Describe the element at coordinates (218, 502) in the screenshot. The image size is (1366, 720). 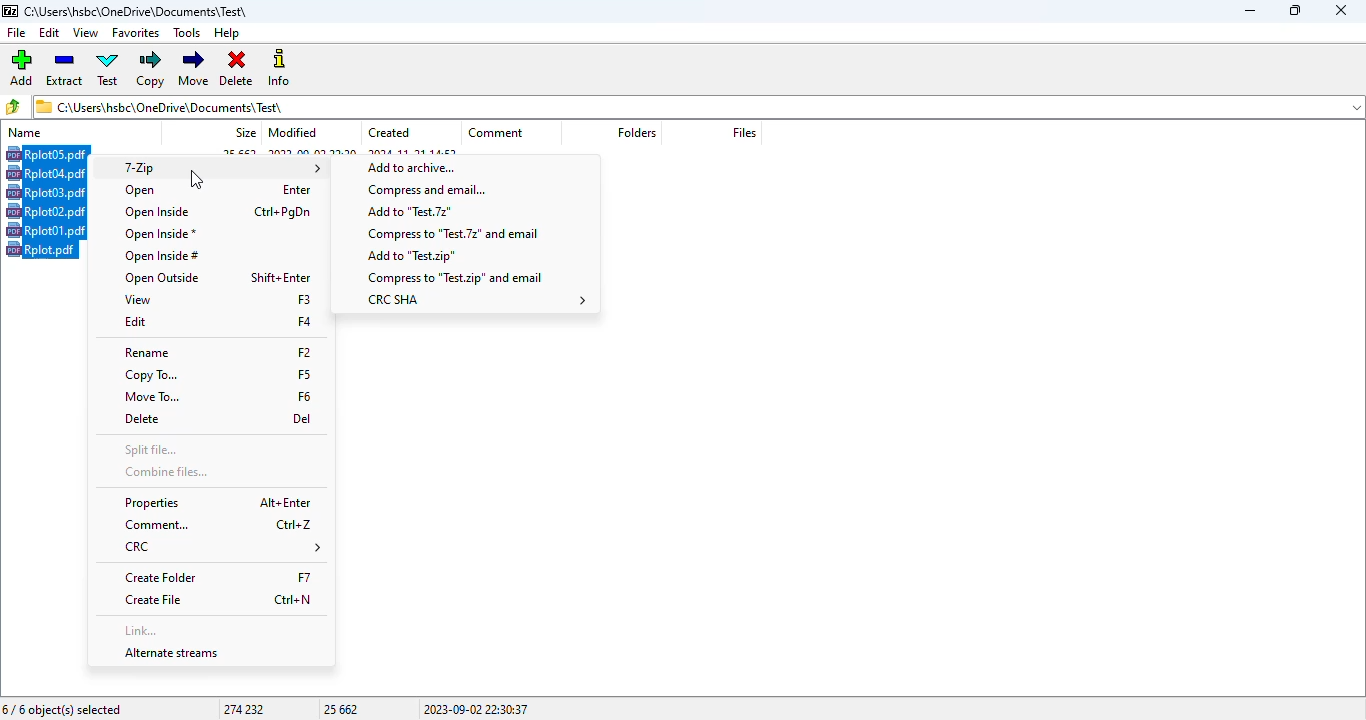
I see `properties` at that location.